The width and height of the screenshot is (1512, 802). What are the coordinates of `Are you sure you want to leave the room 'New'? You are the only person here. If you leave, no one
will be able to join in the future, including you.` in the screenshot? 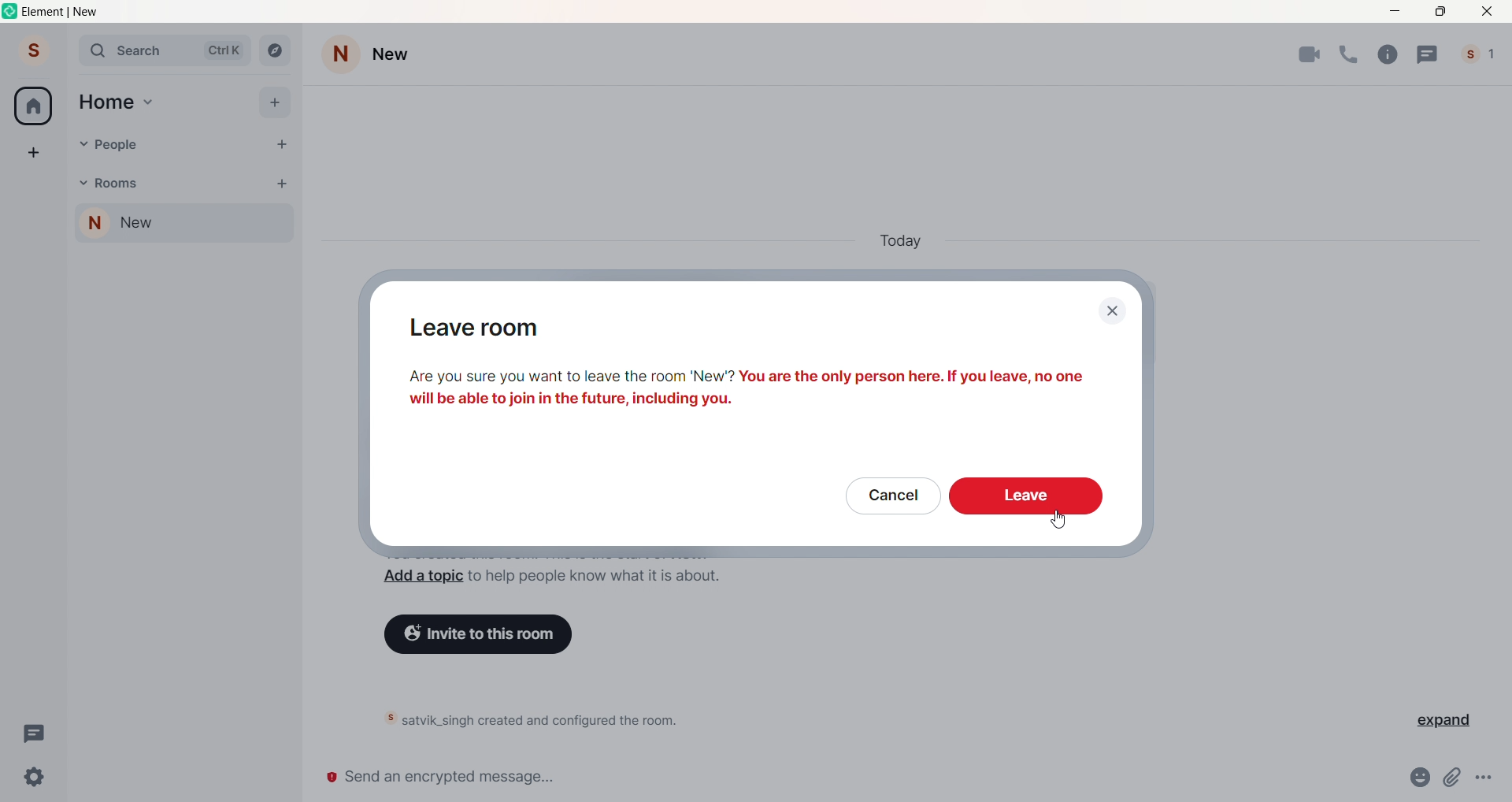 It's located at (759, 390).